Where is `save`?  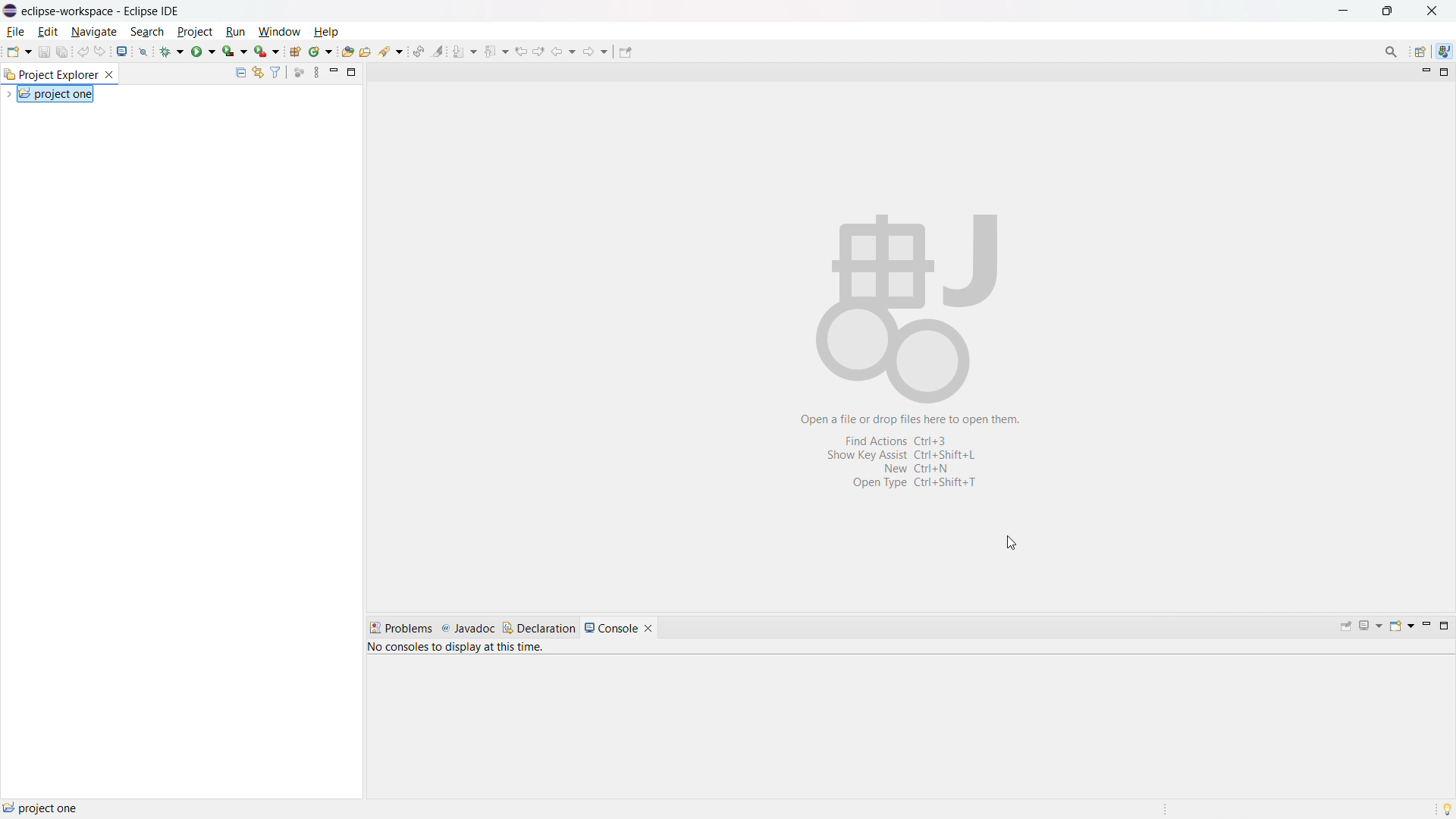 save is located at coordinates (44, 52).